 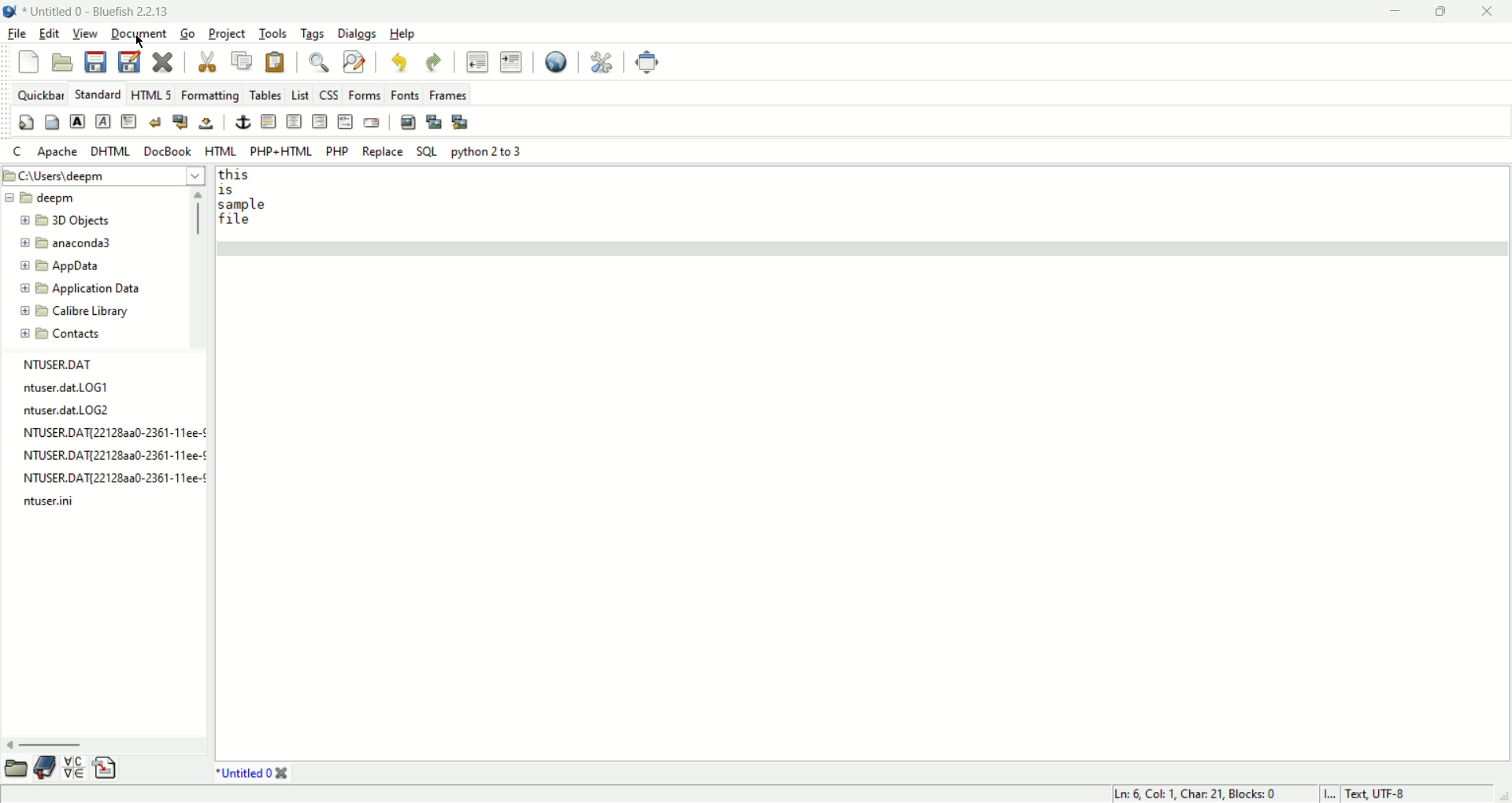 What do you see at coordinates (18, 33) in the screenshot?
I see `file` at bounding box center [18, 33].